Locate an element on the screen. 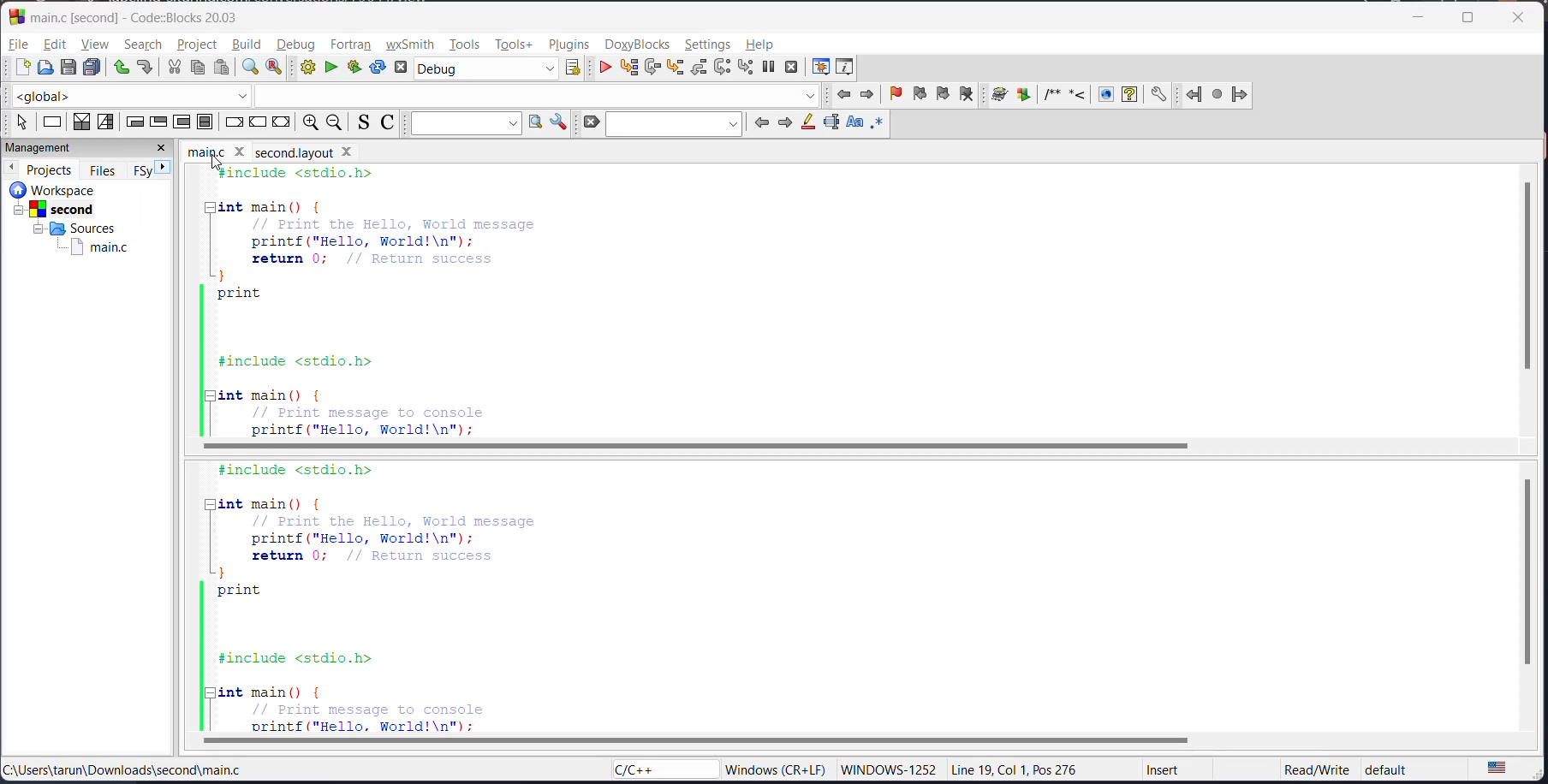 The height and width of the screenshot is (784, 1548). jump back is located at coordinates (846, 95).